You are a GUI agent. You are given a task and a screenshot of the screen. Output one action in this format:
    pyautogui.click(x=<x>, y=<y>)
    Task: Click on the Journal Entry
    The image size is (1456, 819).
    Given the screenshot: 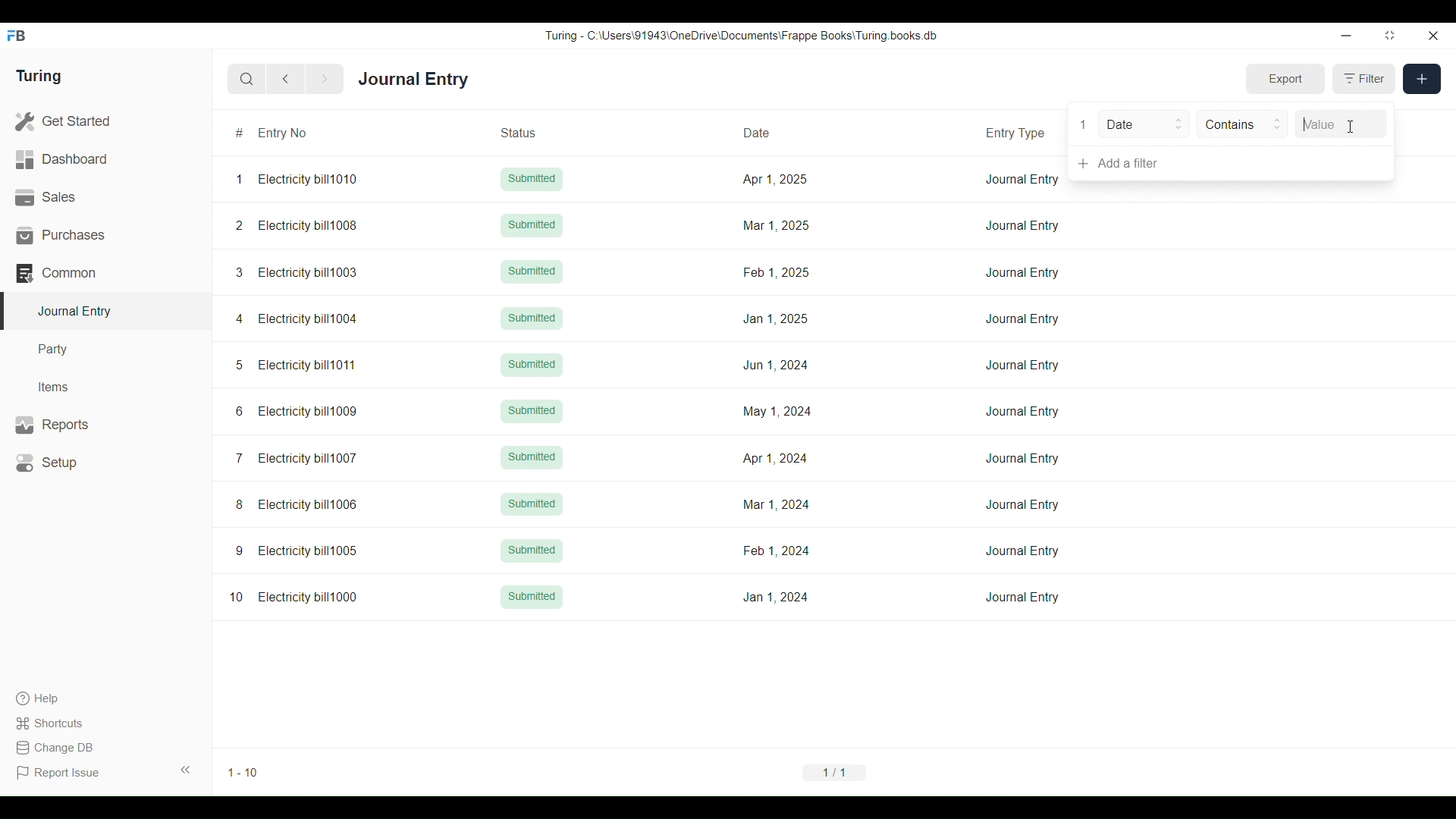 What is the action you would take?
    pyautogui.click(x=1022, y=179)
    